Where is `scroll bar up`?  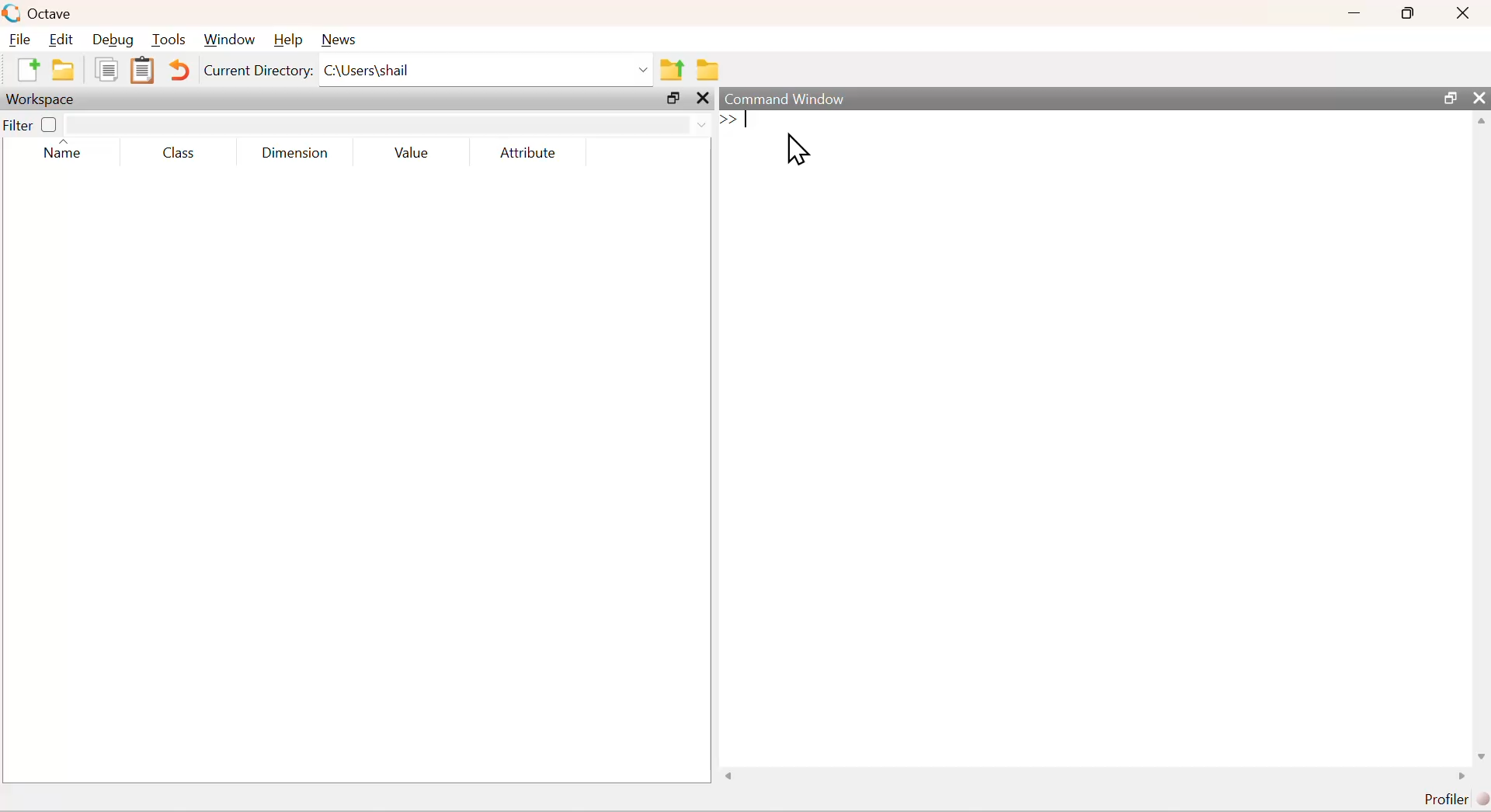 scroll bar up is located at coordinates (1482, 125).